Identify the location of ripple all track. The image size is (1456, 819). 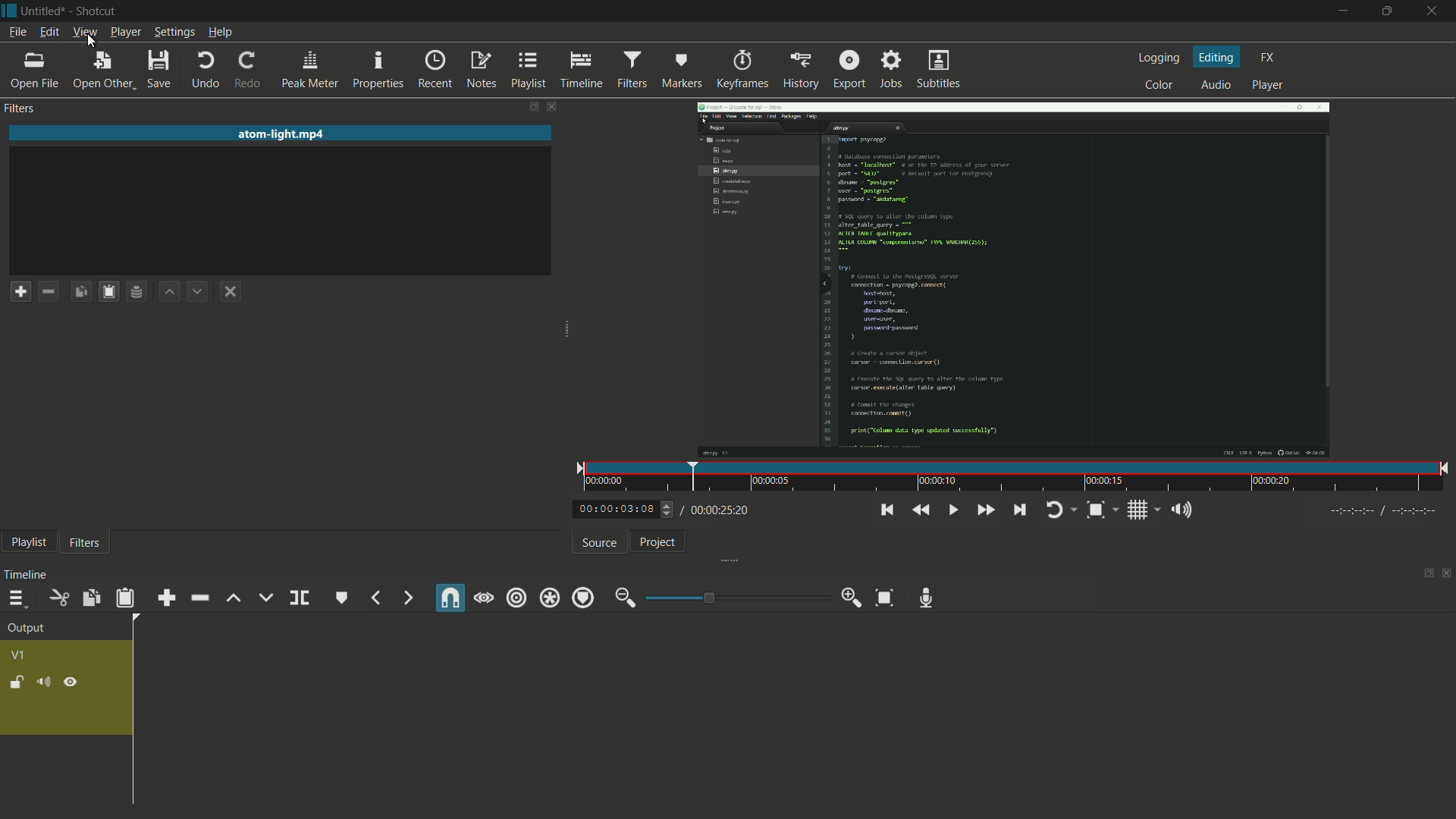
(548, 598).